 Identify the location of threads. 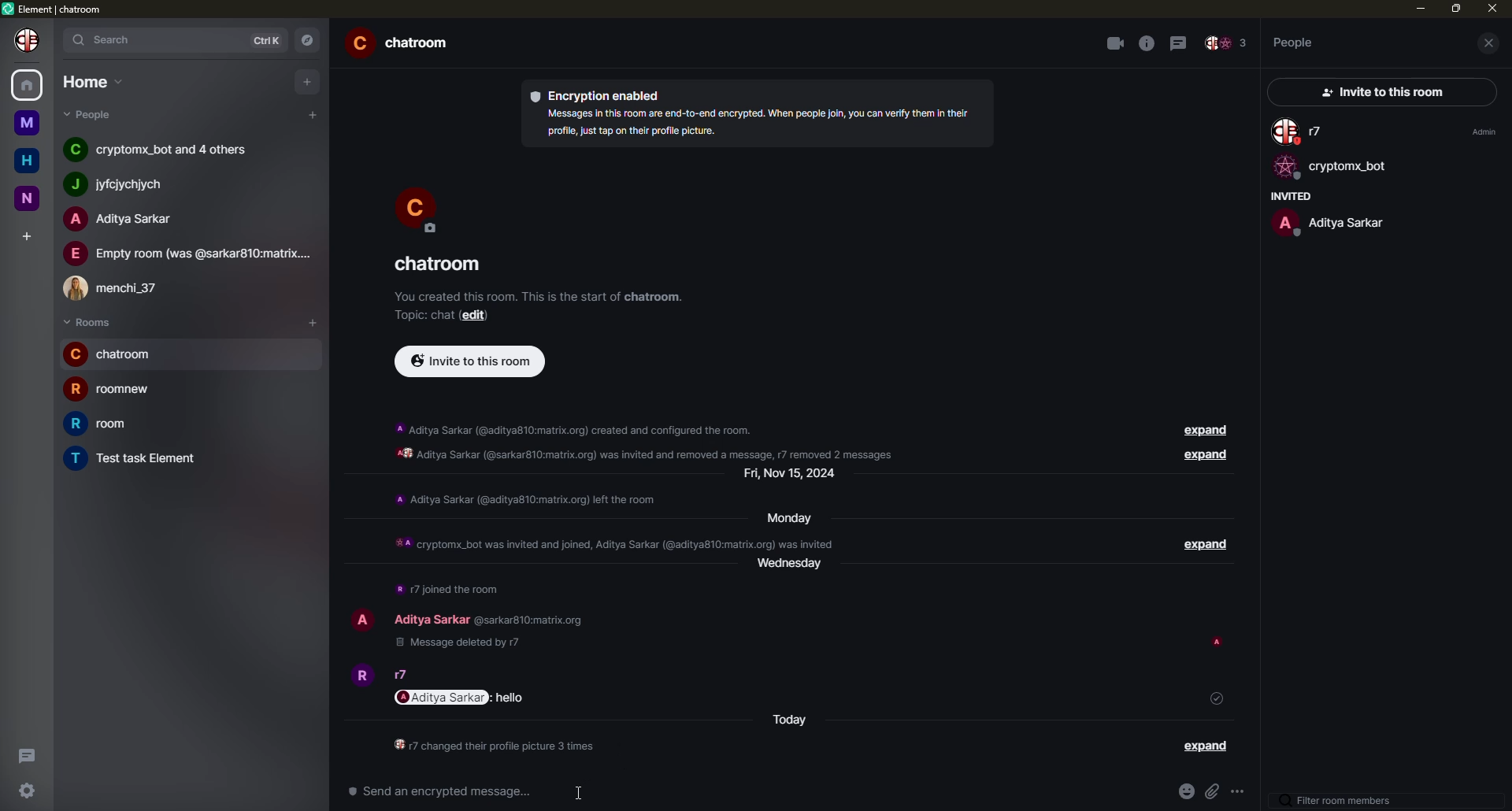
(24, 754).